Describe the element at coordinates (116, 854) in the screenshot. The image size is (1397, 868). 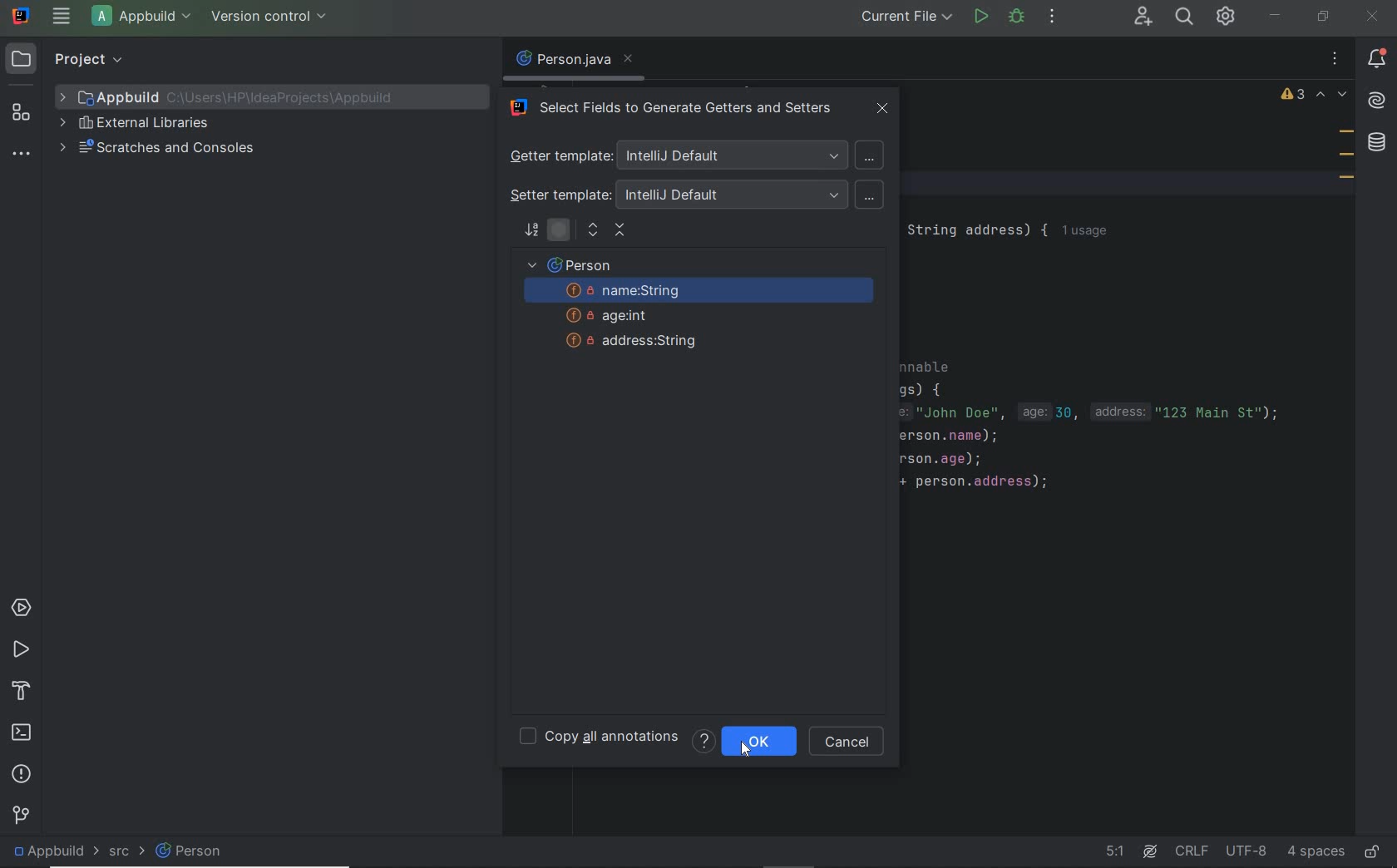
I see `src` at that location.